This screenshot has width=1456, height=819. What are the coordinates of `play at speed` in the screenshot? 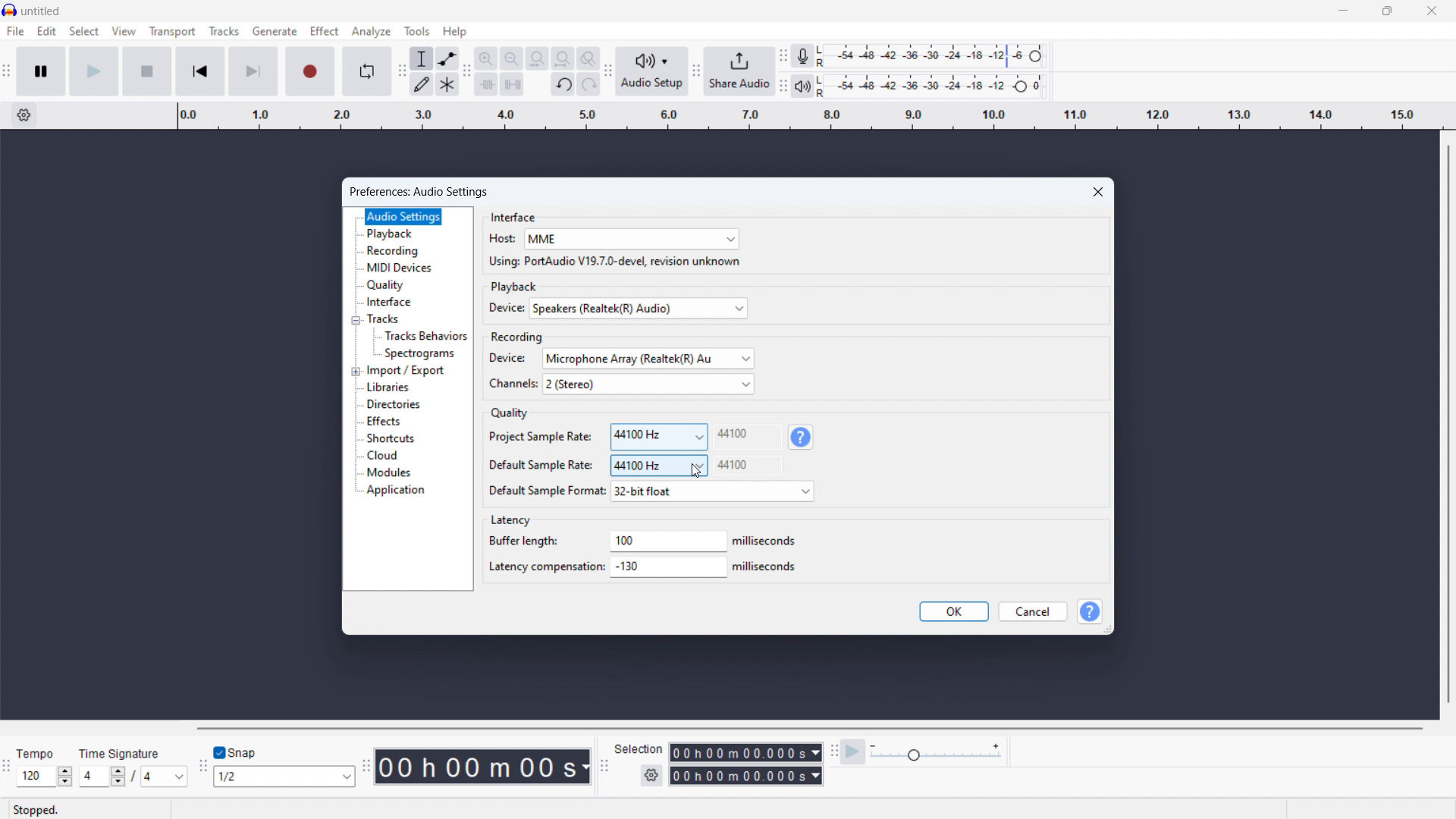 It's located at (853, 752).